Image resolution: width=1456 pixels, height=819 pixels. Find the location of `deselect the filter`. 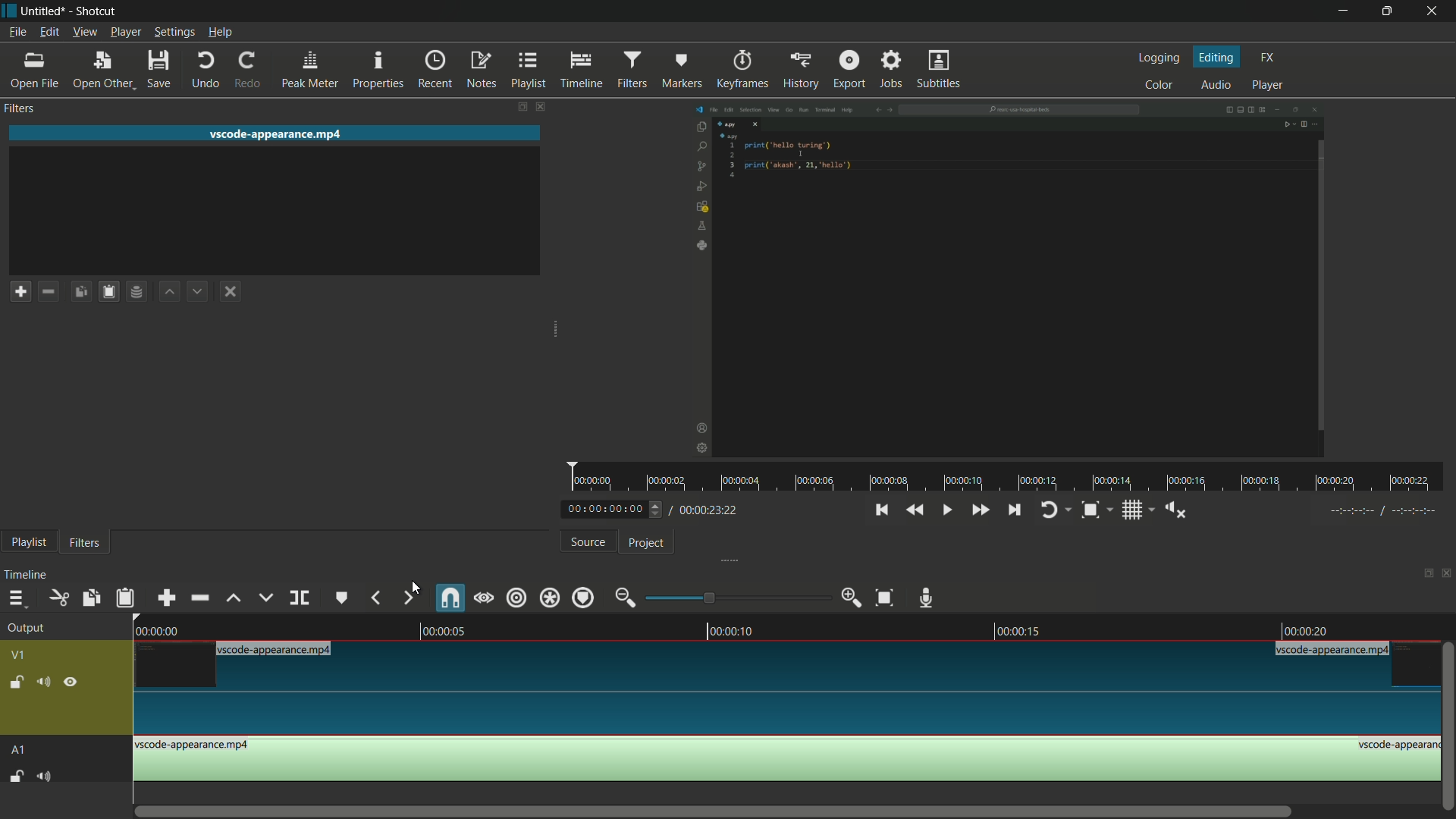

deselect the filter is located at coordinates (231, 292).